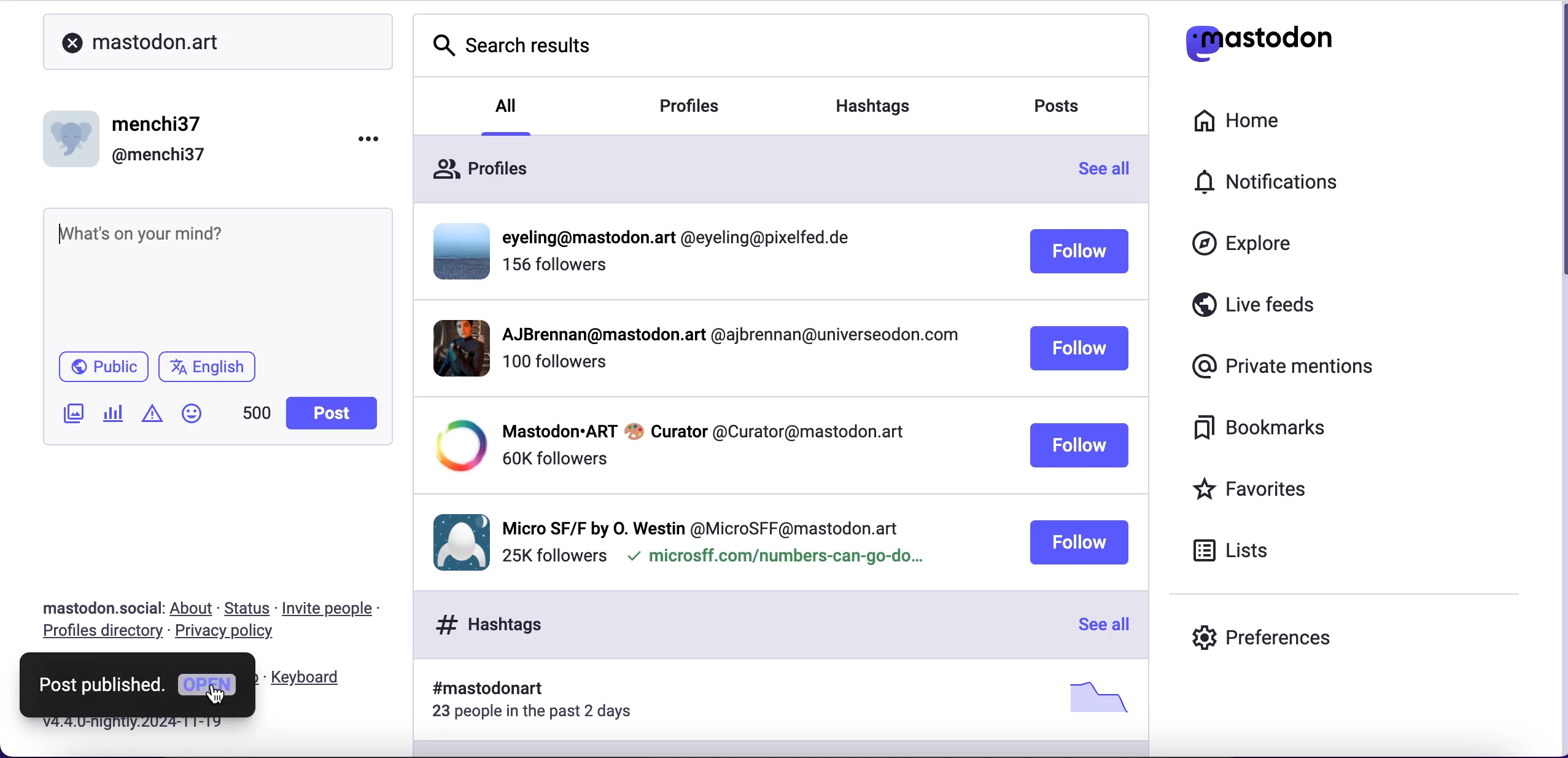 Image resolution: width=1568 pixels, height=758 pixels. What do you see at coordinates (75, 417) in the screenshot?
I see `add image` at bounding box center [75, 417].